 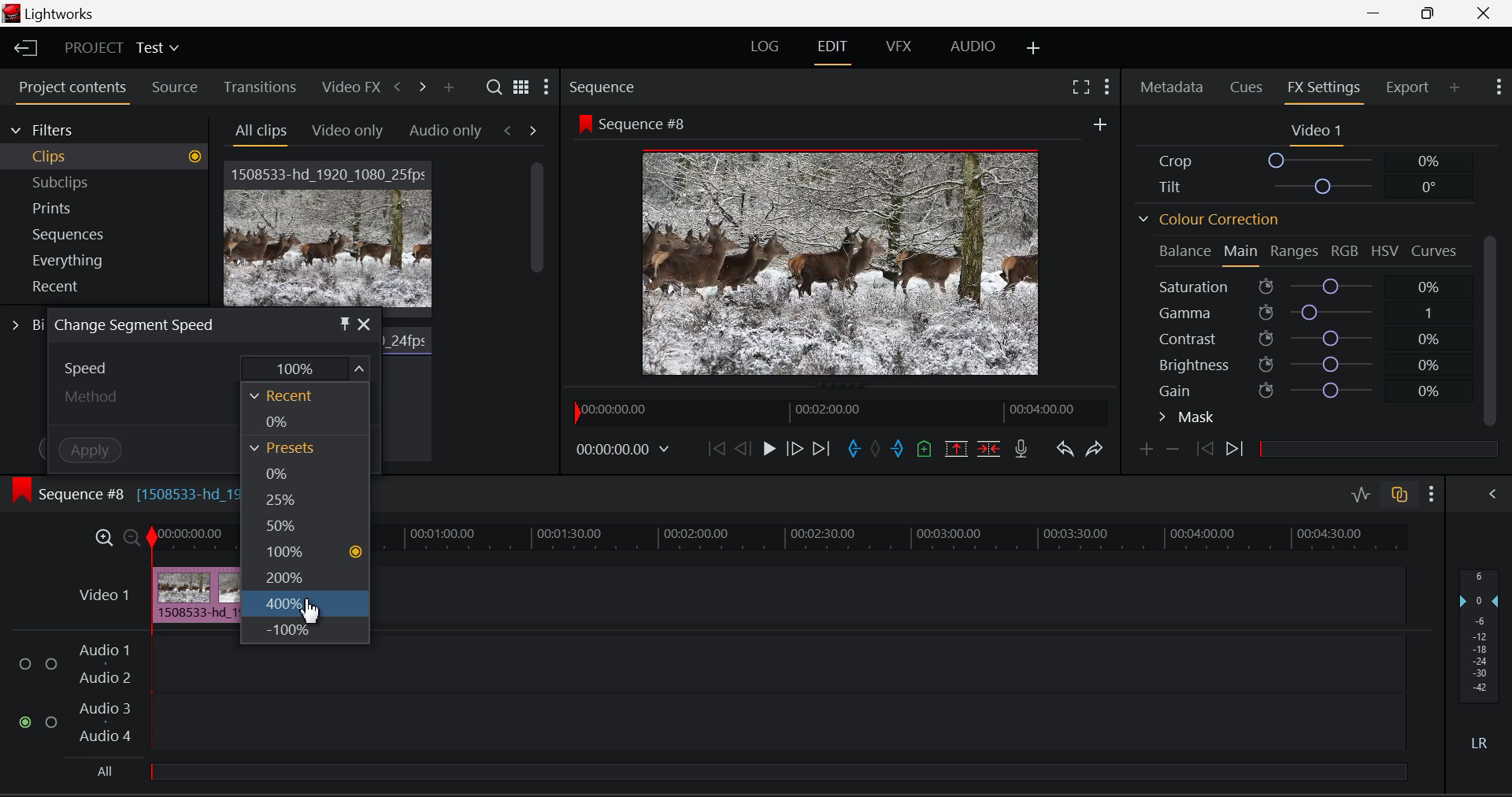 What do you see at coordinates (109, 289) in the screenshot?
I see `Recent` at bounding box center [109, 289].